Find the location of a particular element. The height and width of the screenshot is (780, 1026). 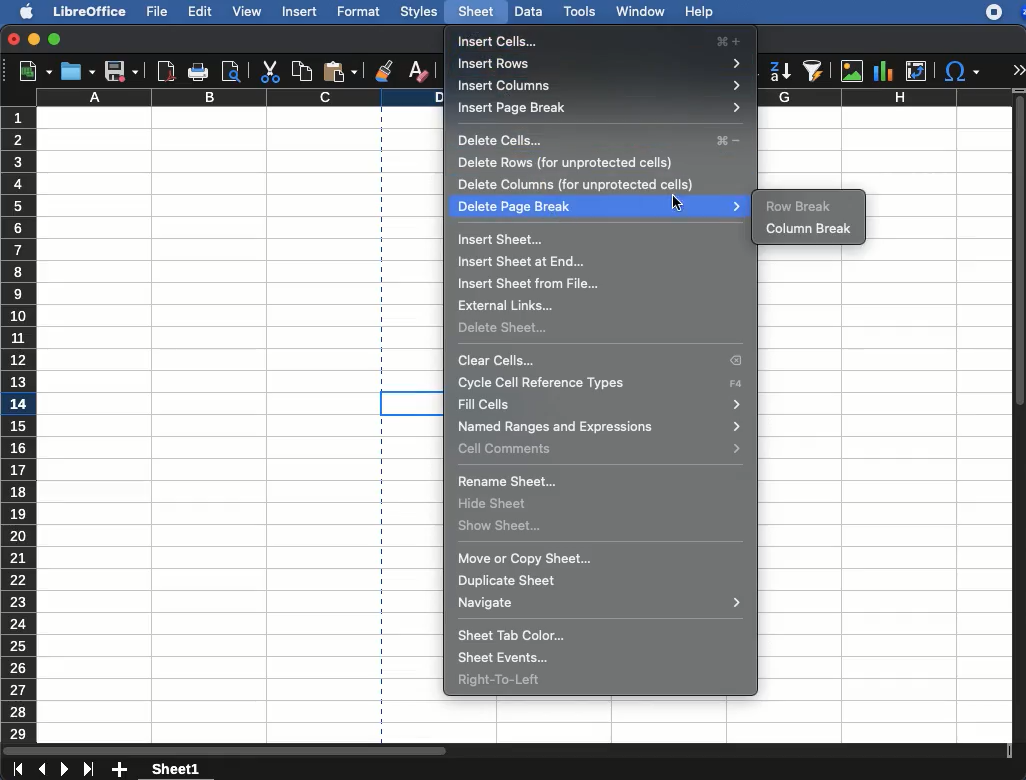

insert is located at coordinates (301, 11).